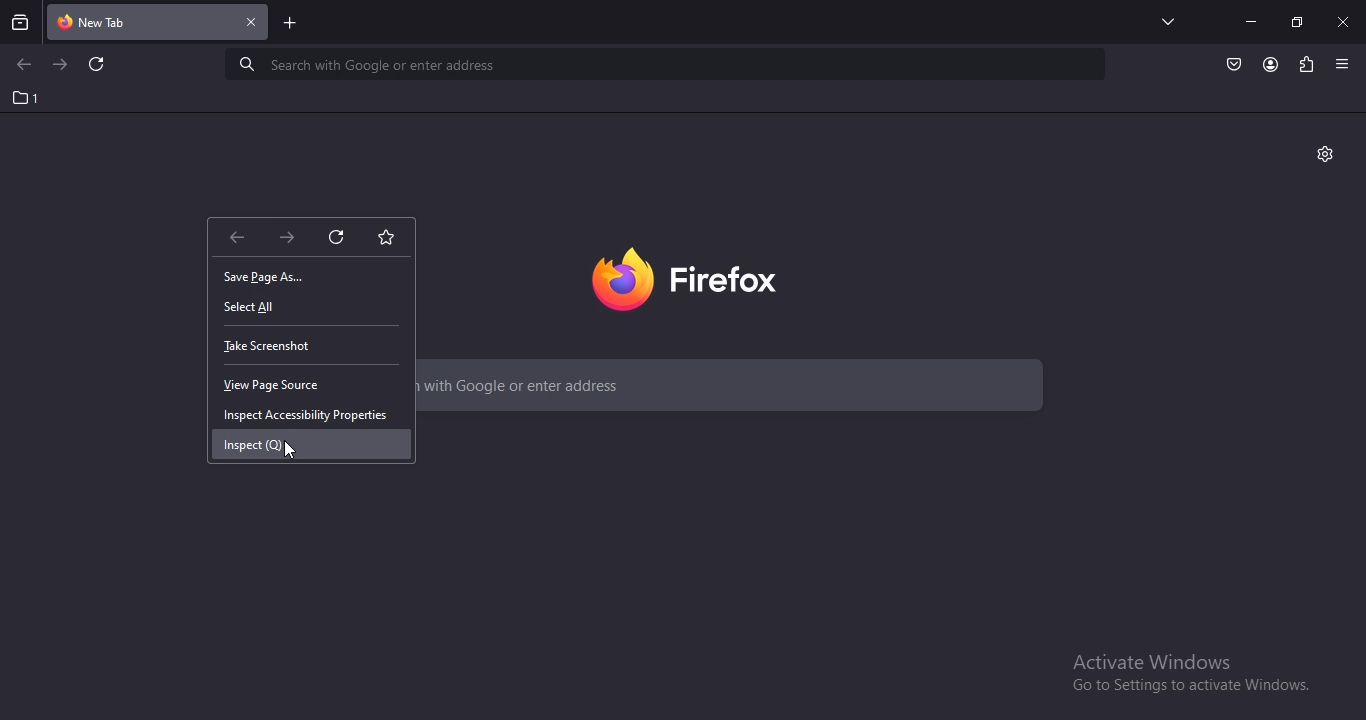  Describe the element at coordinates (159, 24) in the screenshot. I see `current tab` at that location.